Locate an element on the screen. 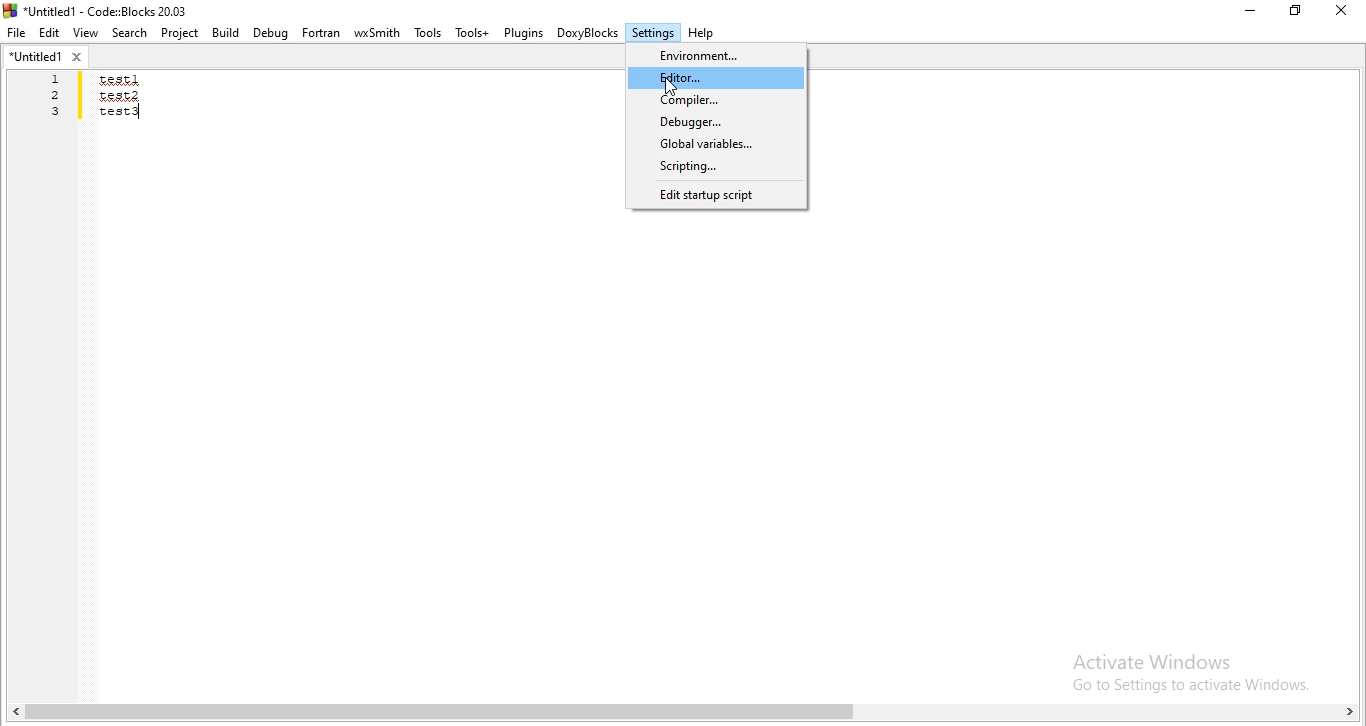 Image resolution: width=1366 pixels, height=726 pixels. View  is located at coordinates (86, 32).